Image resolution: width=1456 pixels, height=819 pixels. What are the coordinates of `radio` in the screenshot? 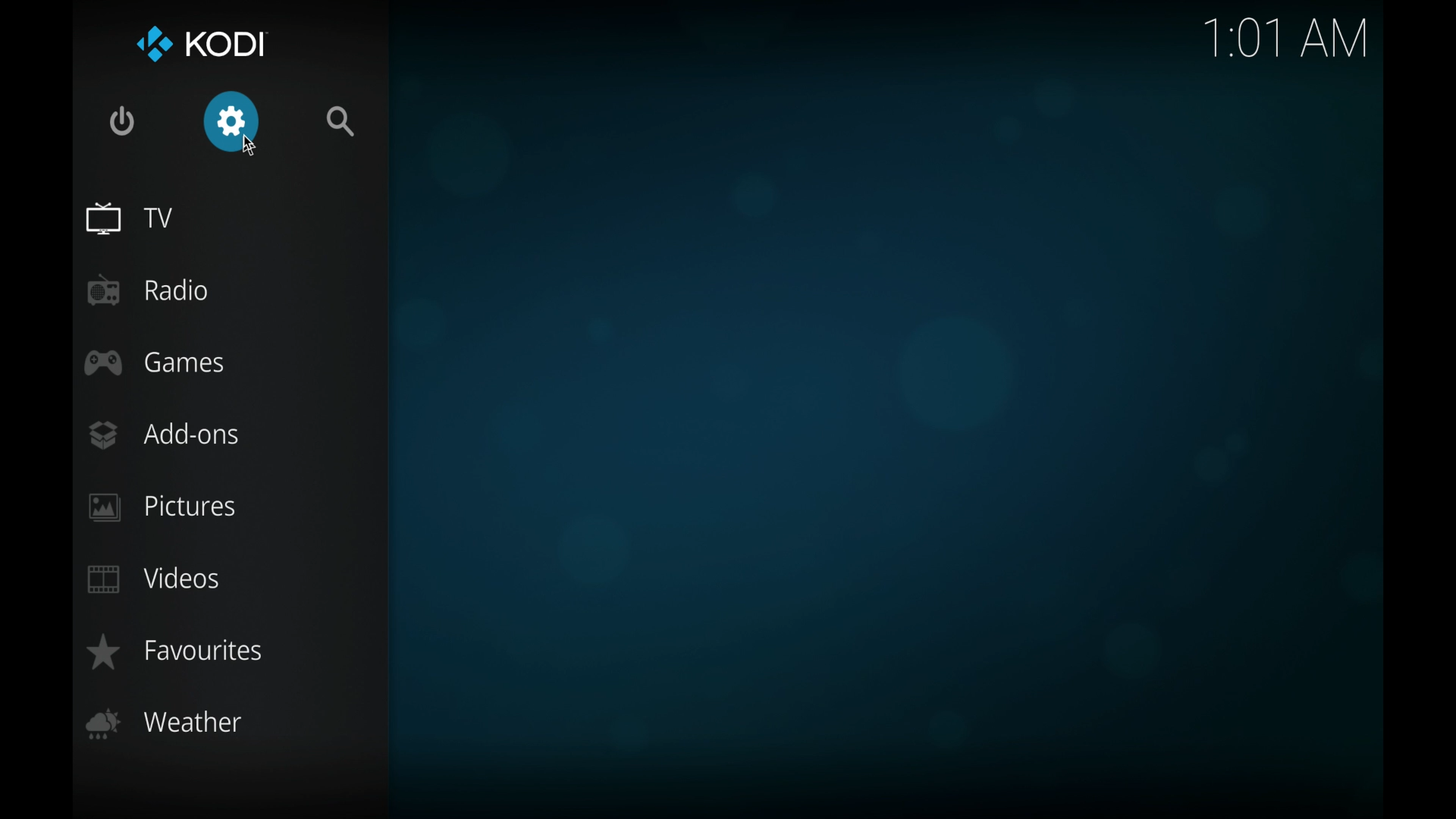 It's located at (149, 290).